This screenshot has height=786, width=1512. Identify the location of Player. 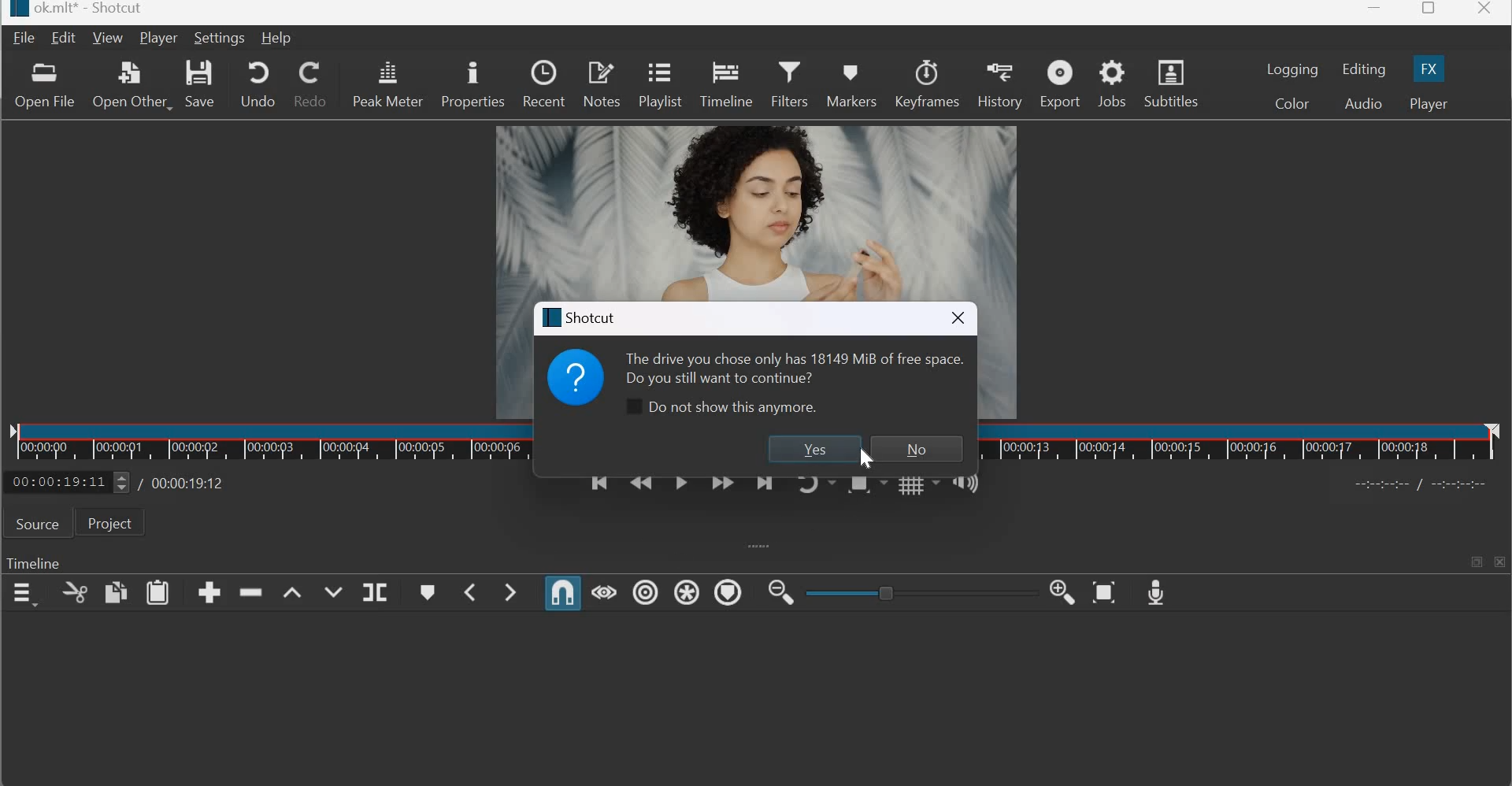
(157, 39).